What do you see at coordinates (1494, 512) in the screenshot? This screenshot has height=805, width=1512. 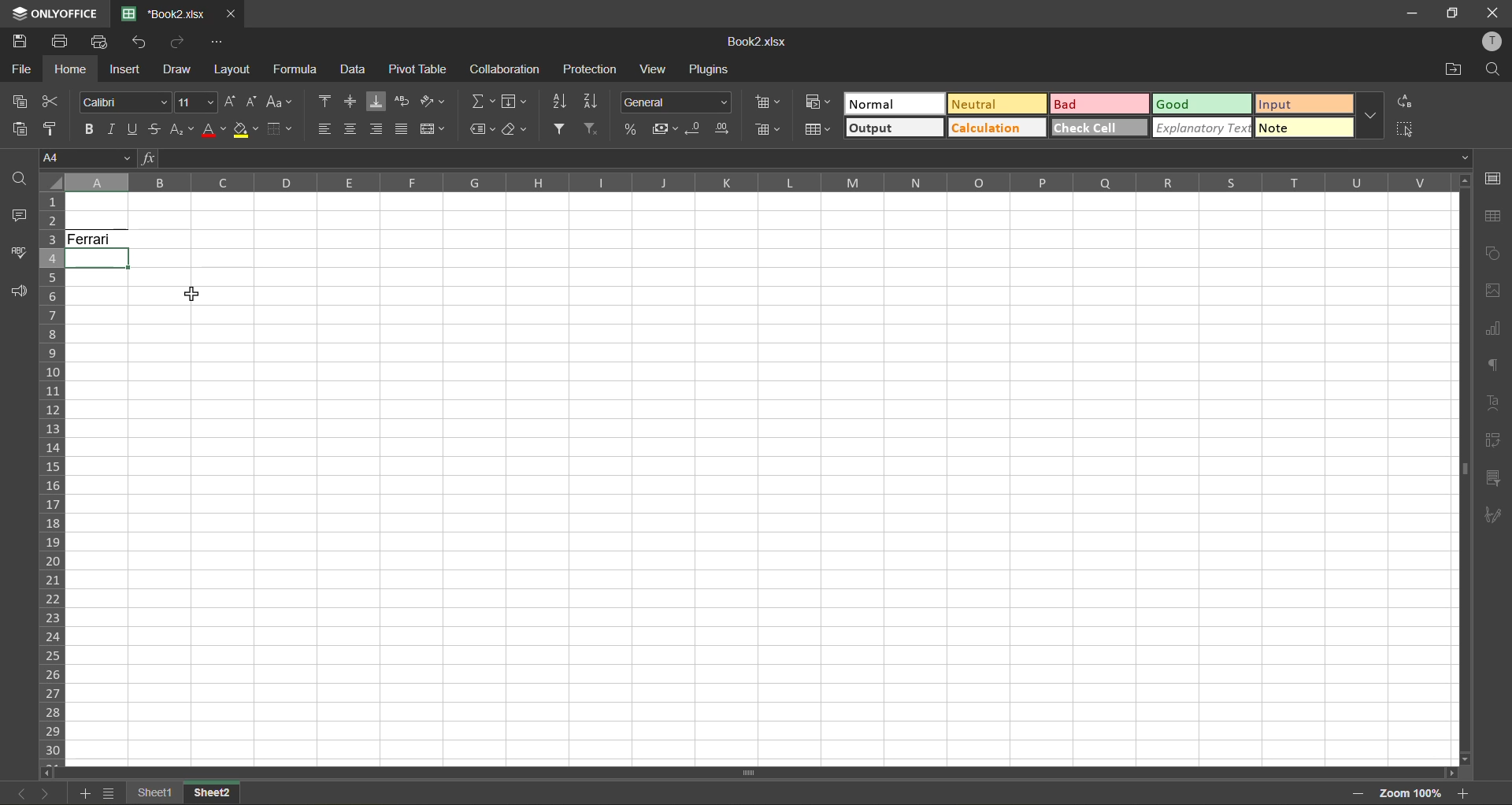 I see `signature` at bounding box center [1494, 512].